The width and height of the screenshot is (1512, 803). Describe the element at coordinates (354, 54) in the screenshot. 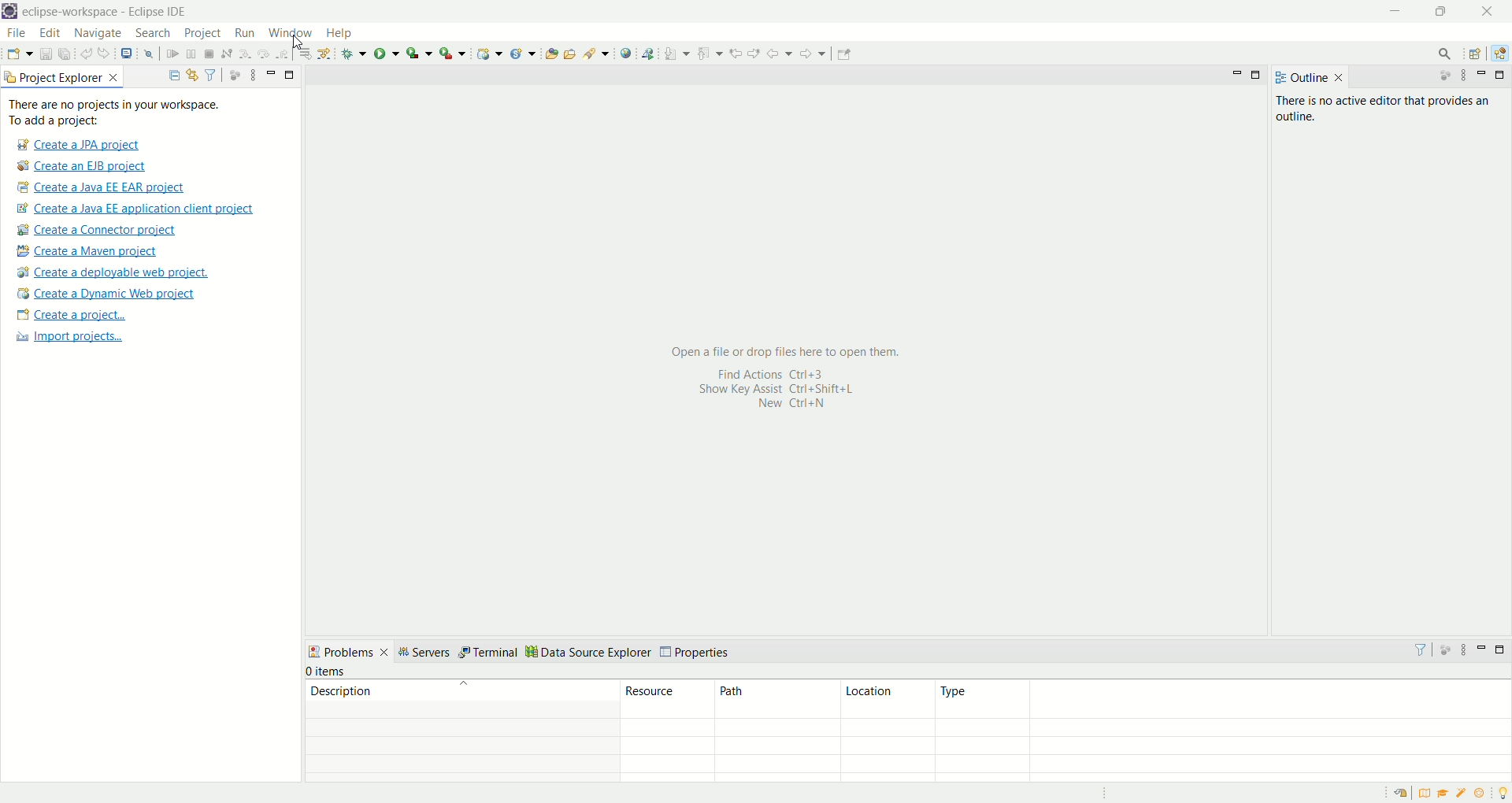

I see `debug` at that location.